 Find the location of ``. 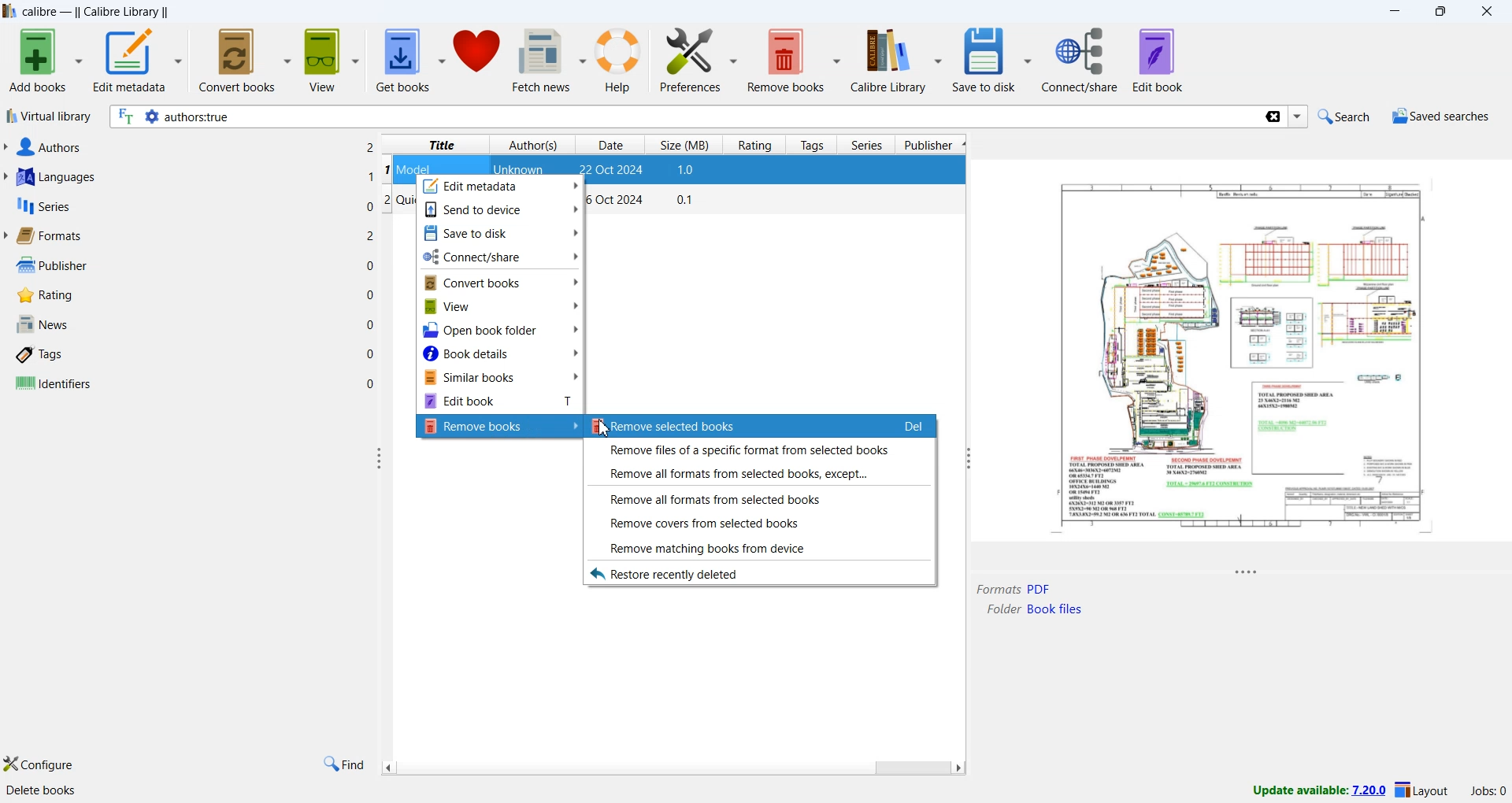

 is located at coordinates (372, 236).